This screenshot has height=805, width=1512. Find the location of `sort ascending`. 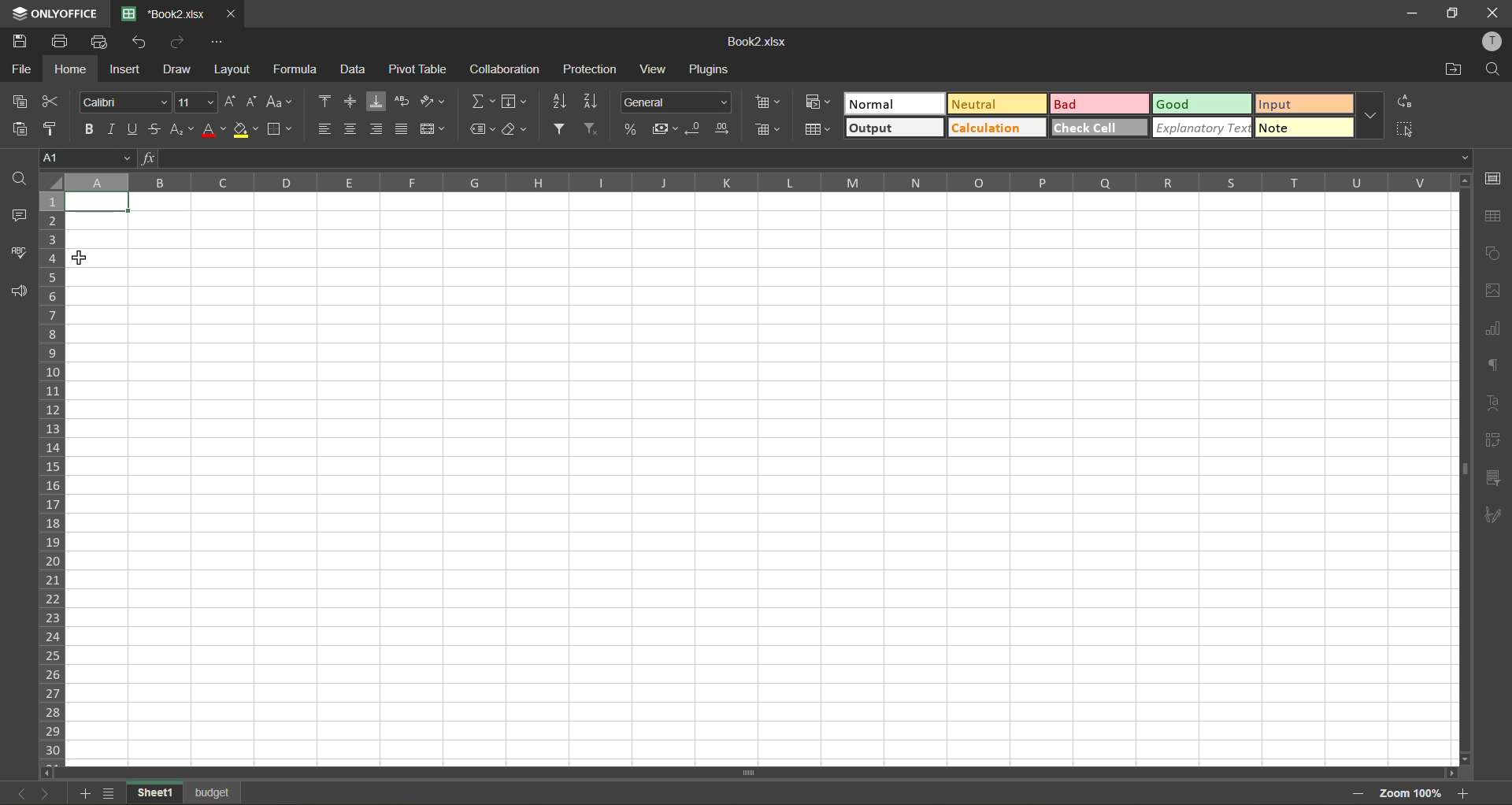

sort ascending is located at coordinates (559, 101).